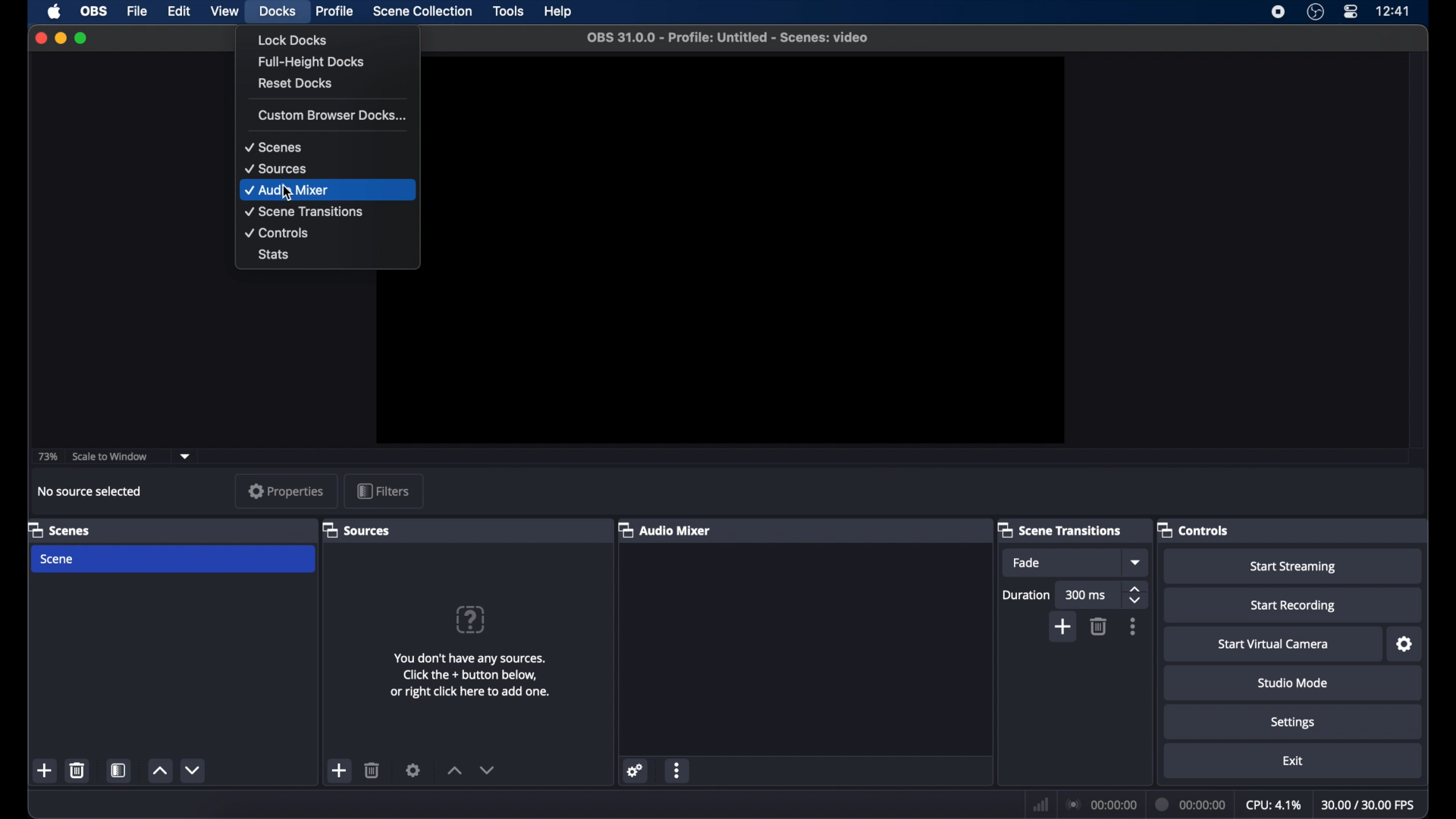 This screenshot has width=1456, height=819. Describe the element at coordinates (383, 490) in the screenshot. I see `filters` at that location.